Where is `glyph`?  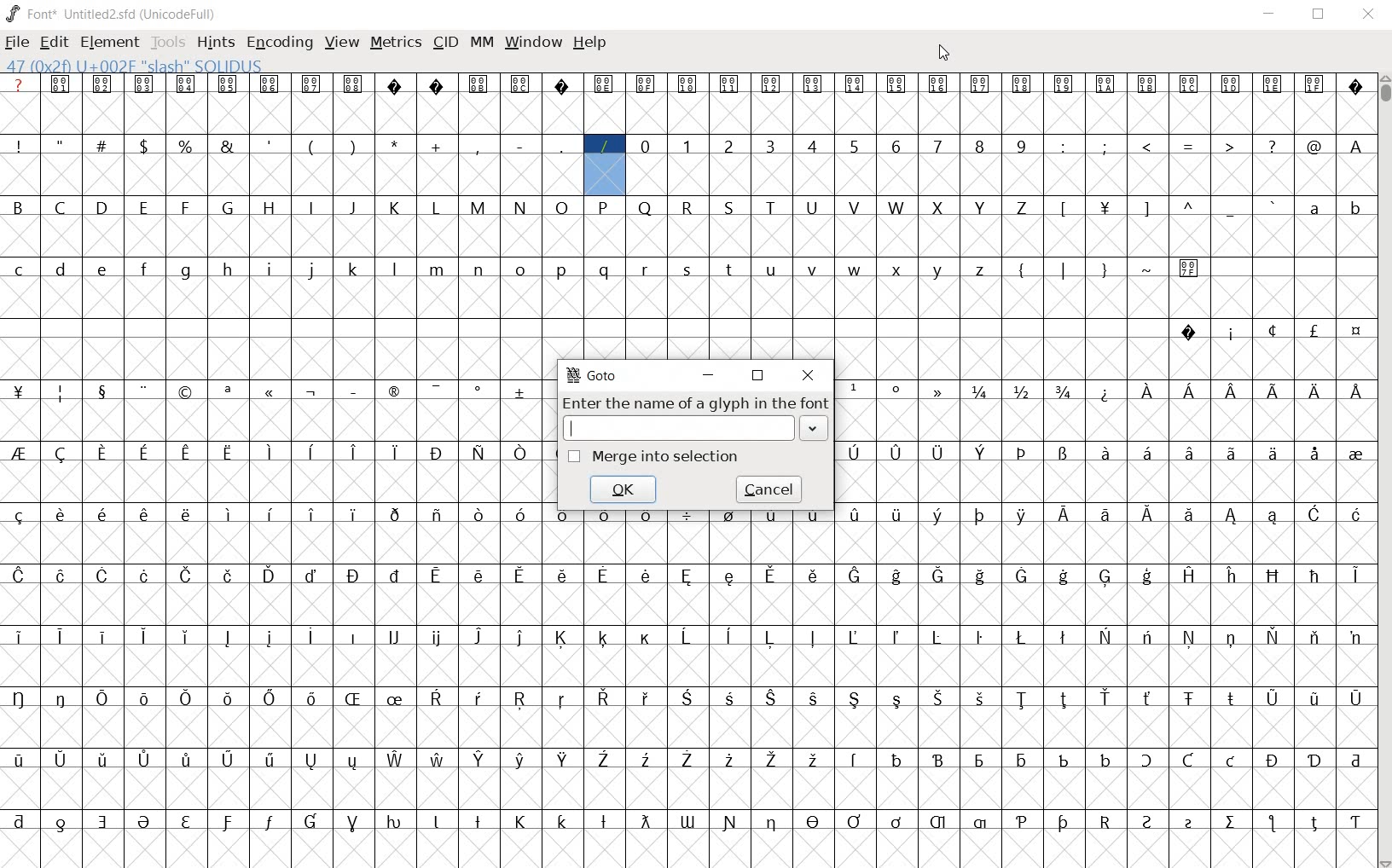
glyph is located at coordinates (395, 144).